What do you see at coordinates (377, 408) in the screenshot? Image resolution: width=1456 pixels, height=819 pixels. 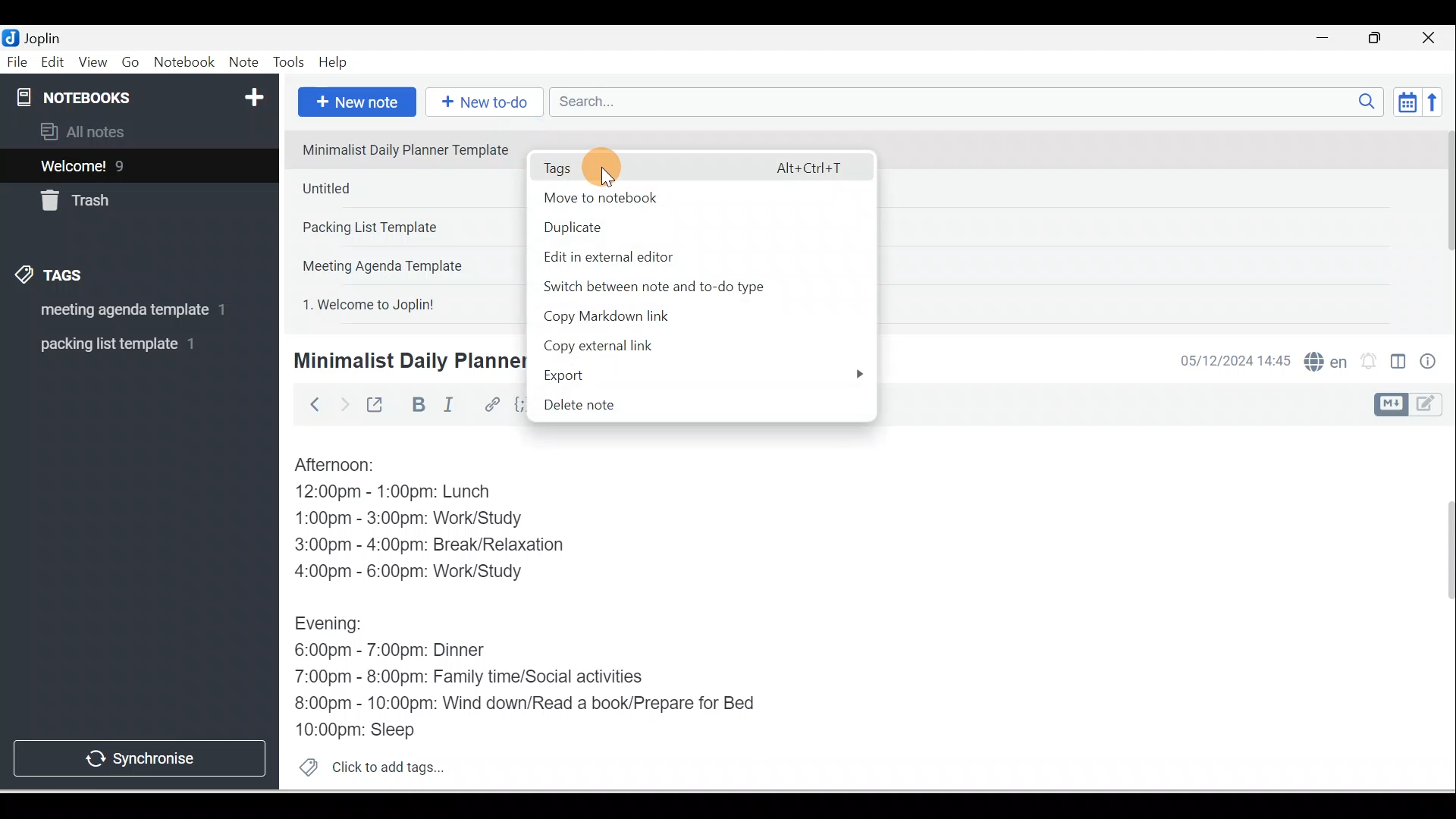 I see `Toggle external editing` at bounding box center [377, 408].